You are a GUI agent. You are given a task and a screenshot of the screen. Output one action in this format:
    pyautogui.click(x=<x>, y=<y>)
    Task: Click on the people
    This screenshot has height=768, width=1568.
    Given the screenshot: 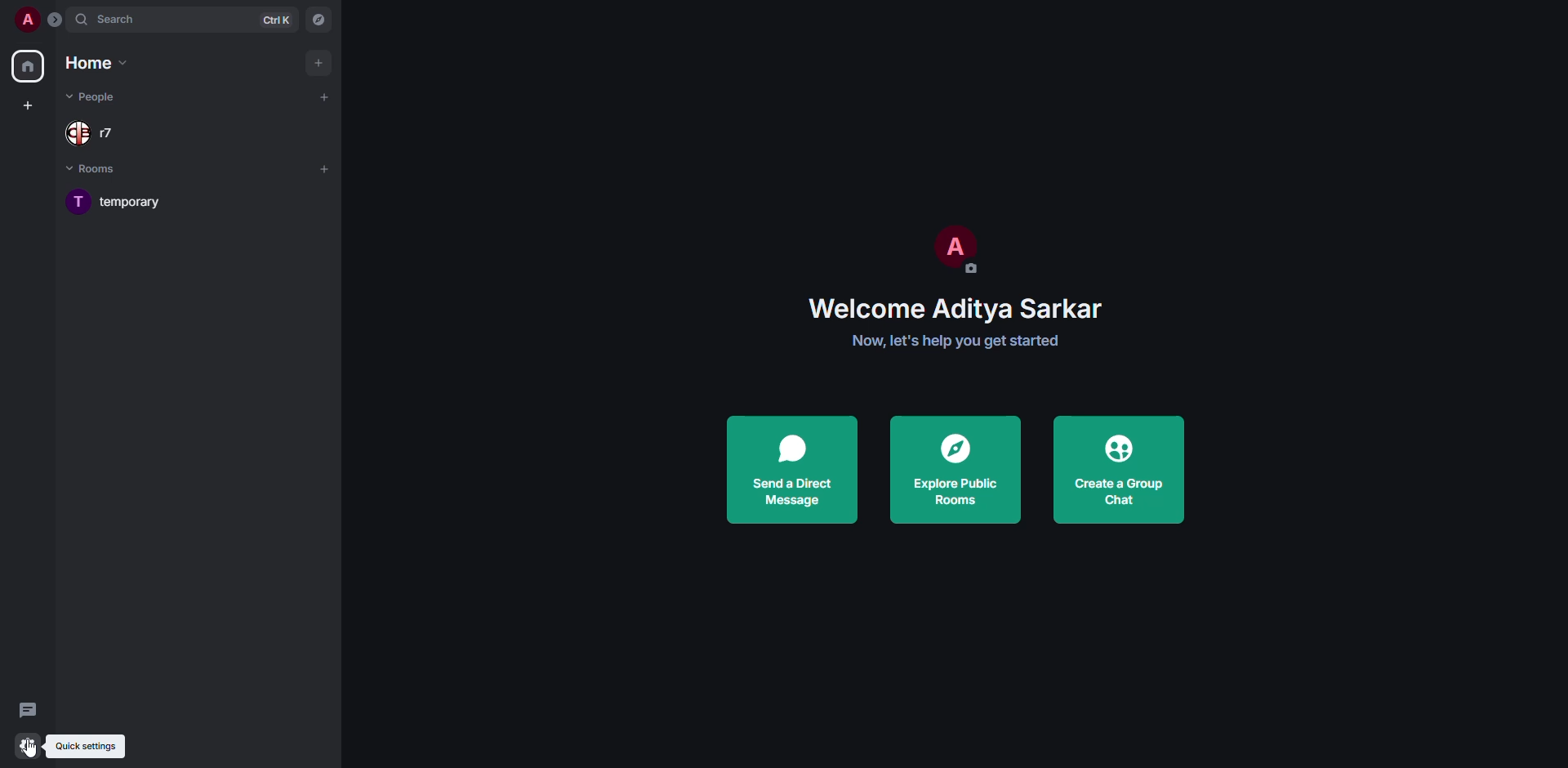 What is the action you would take?
    pyautogui.click(x=99, y=100)
    